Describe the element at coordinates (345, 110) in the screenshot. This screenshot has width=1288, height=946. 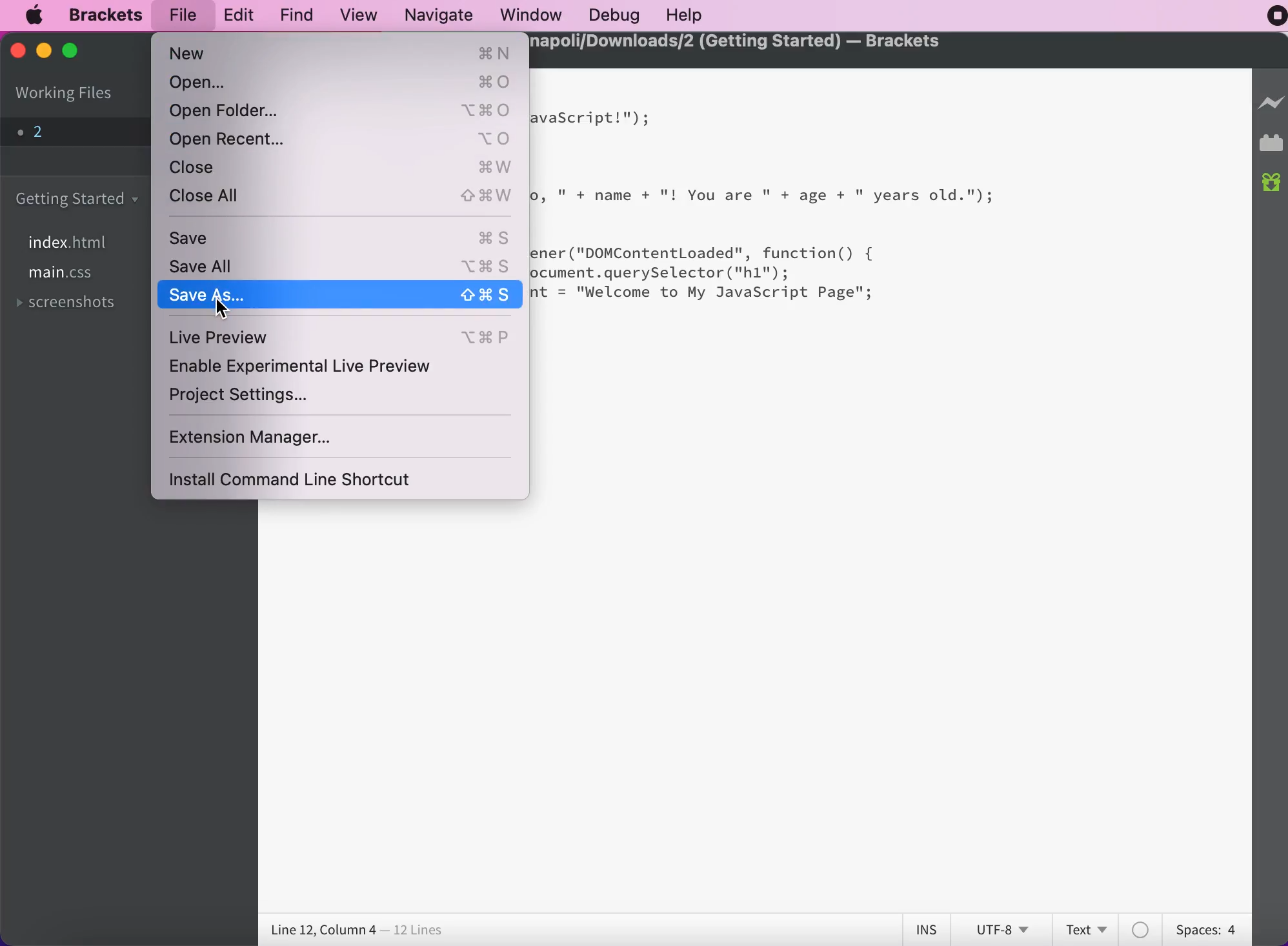
I see `open folder` at that location.